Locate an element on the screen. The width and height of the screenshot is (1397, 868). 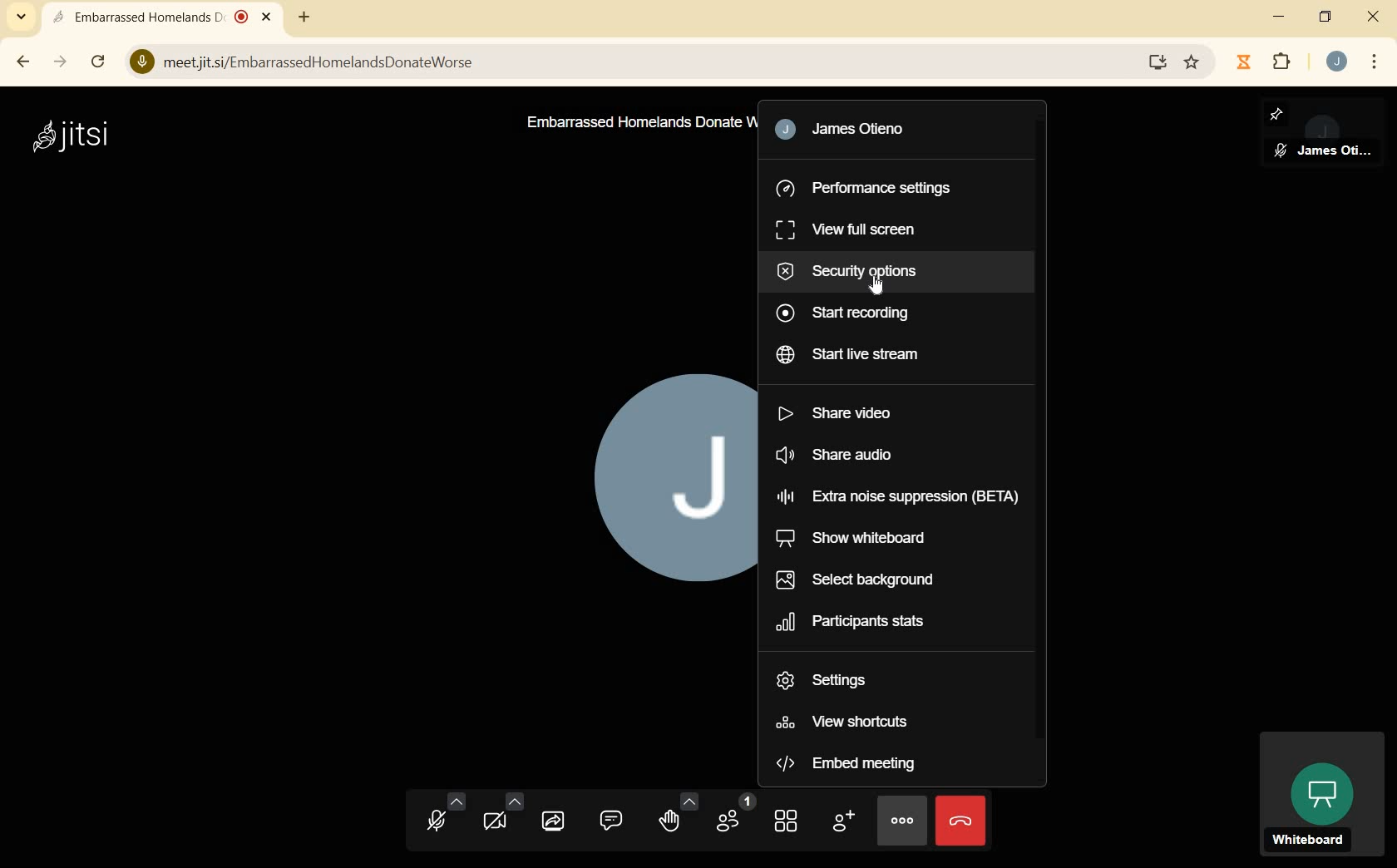
leave meeting is located at coordinates (961, 820).